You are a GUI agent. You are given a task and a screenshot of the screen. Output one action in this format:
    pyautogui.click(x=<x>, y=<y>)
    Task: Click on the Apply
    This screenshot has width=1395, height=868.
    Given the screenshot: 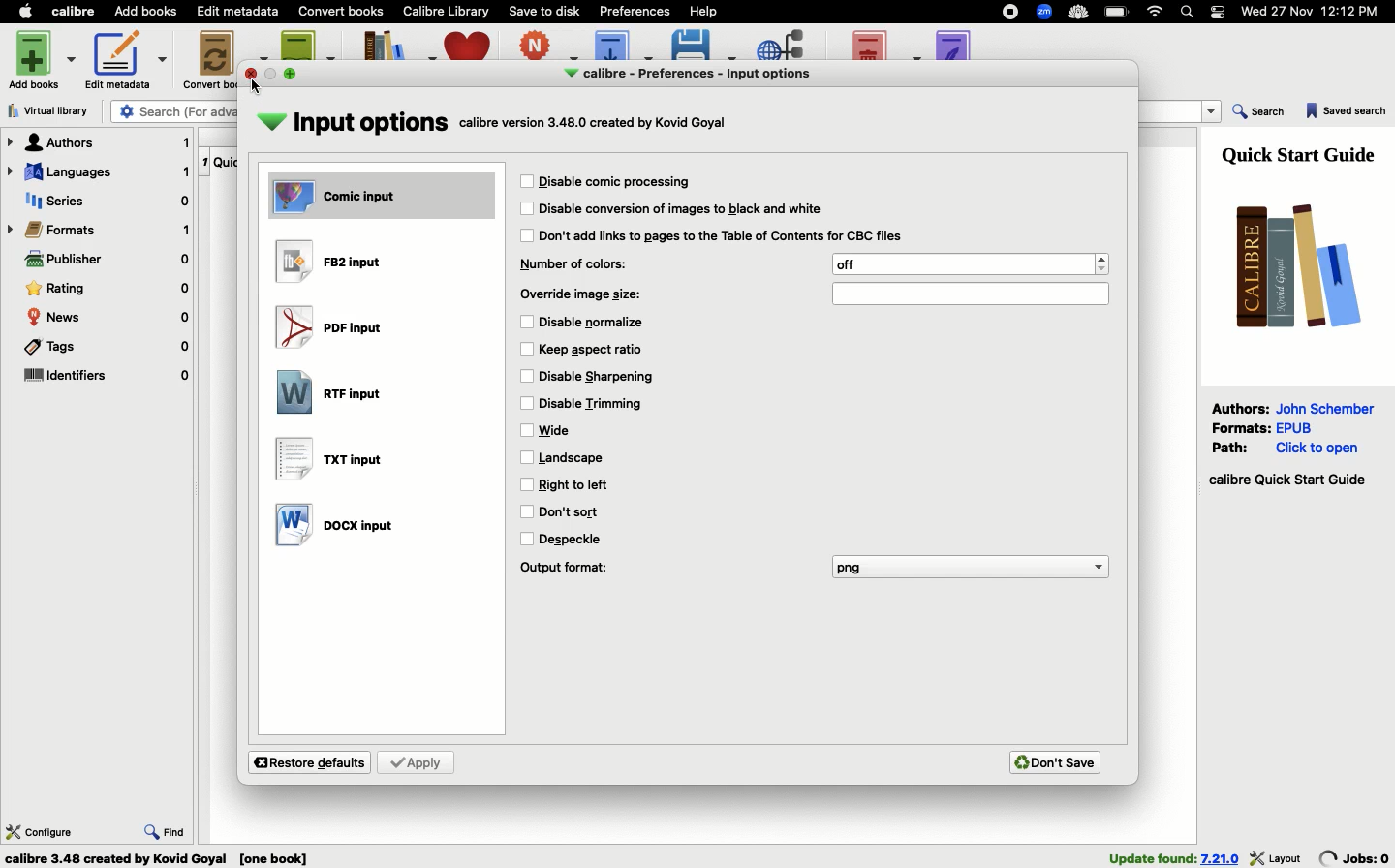 What is the action you would take?
    pyautogui.click(x=418, y=762)
    